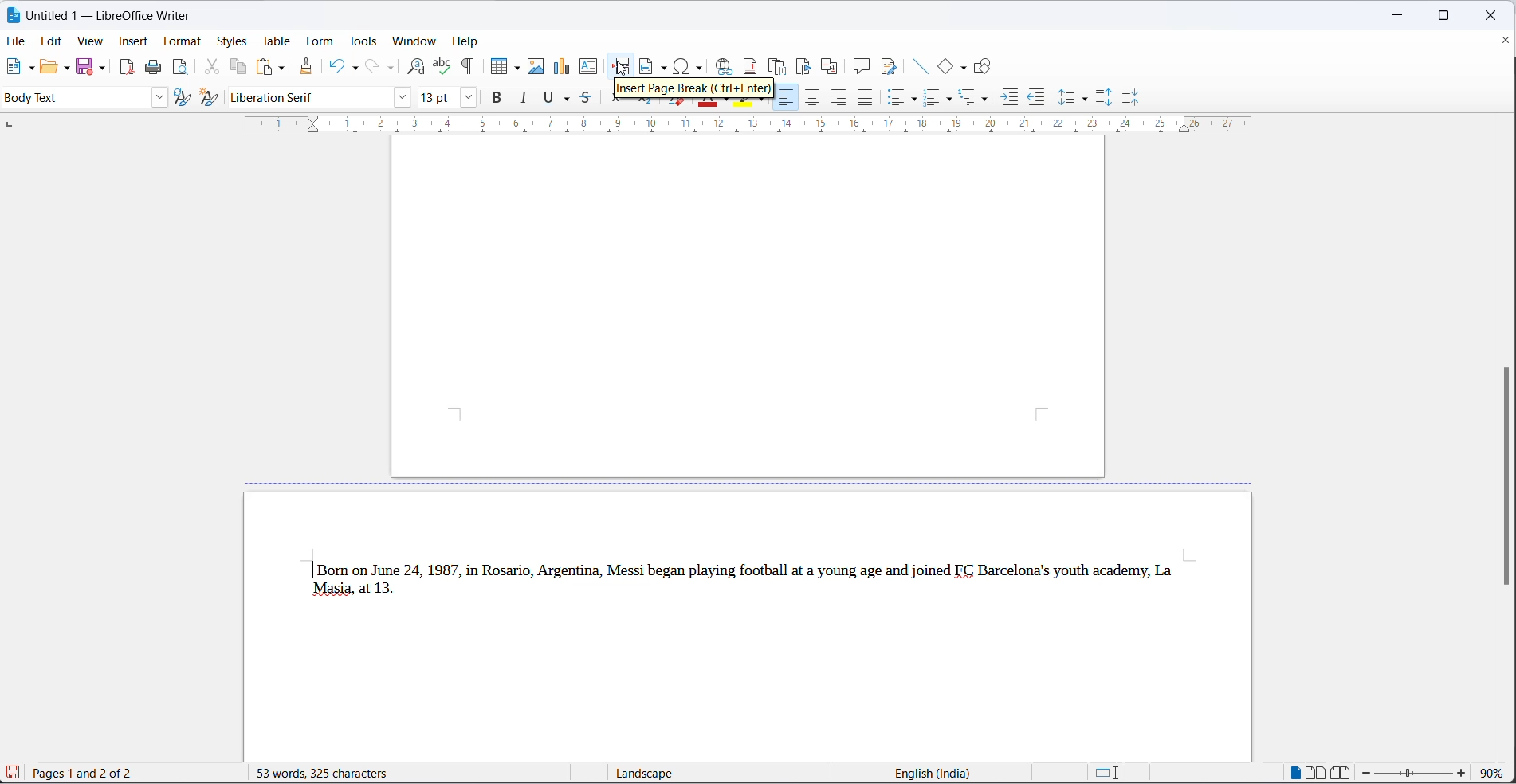 Image resolution: width=1516 pixels, height=784 pixels. Describe the element at coordinates (65, 69) in the screenshot. I see `open options` at that location.